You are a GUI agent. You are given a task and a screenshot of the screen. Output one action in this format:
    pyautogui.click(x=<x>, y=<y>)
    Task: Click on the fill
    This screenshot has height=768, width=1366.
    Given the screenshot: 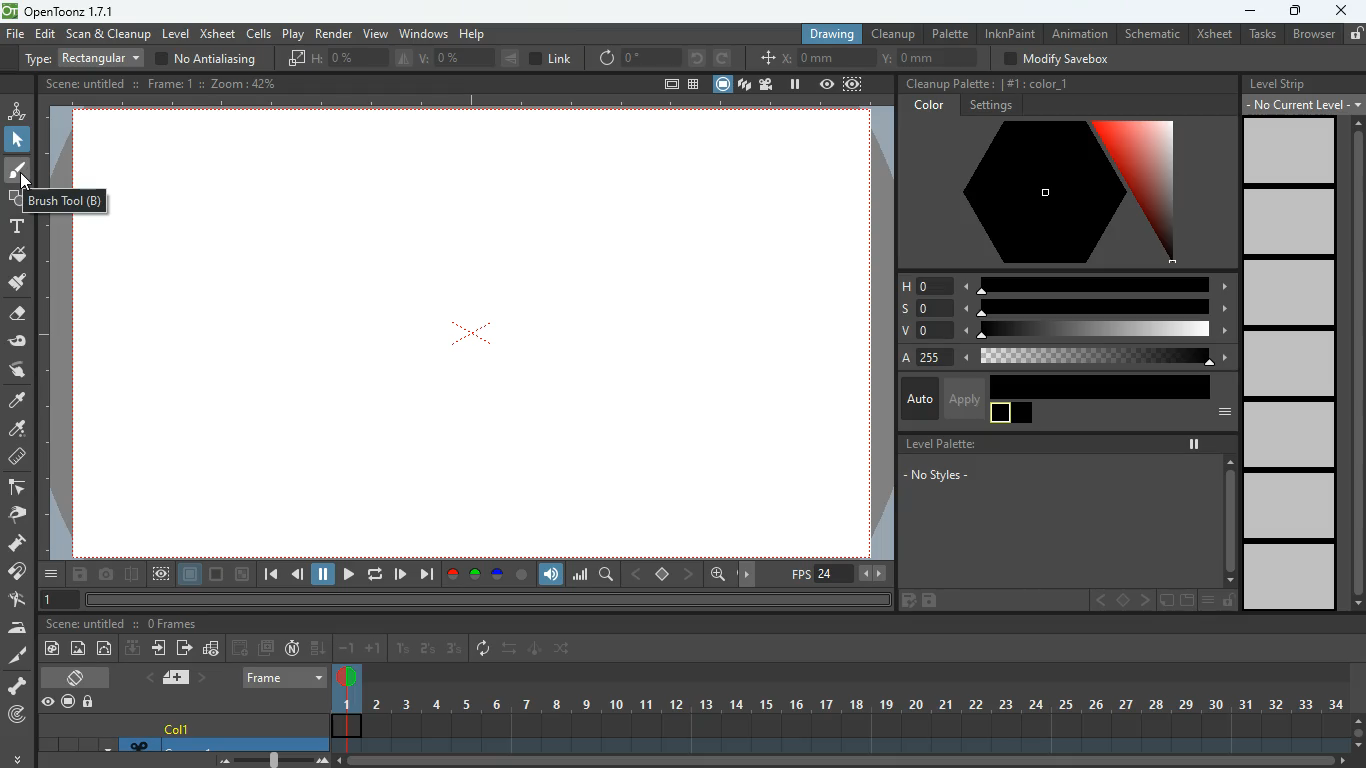 What is the action you would take?
    pyautogui.click(x=18, y=256)
    